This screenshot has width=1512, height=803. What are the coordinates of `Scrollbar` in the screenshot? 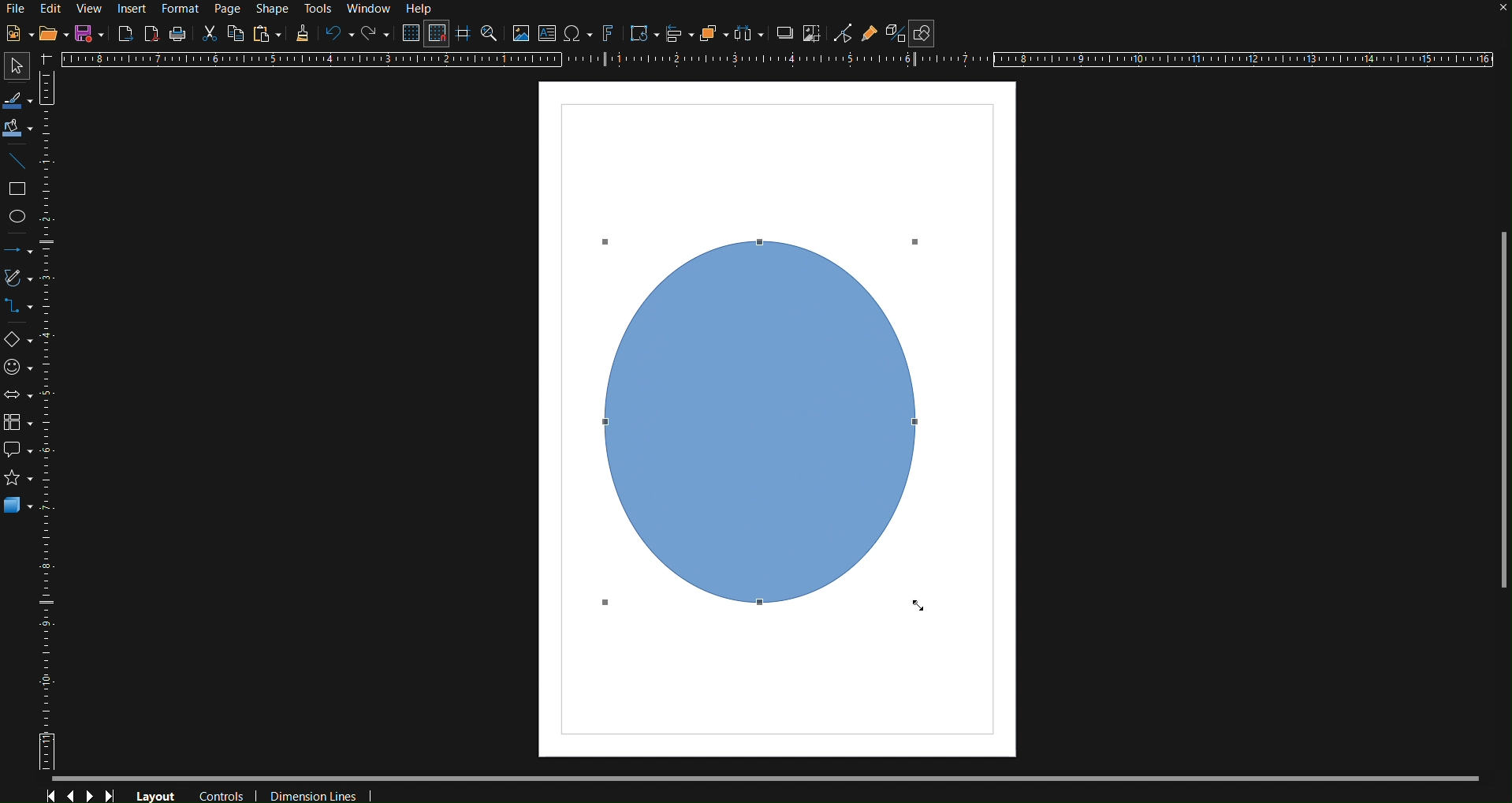 It's located at (780, 777).